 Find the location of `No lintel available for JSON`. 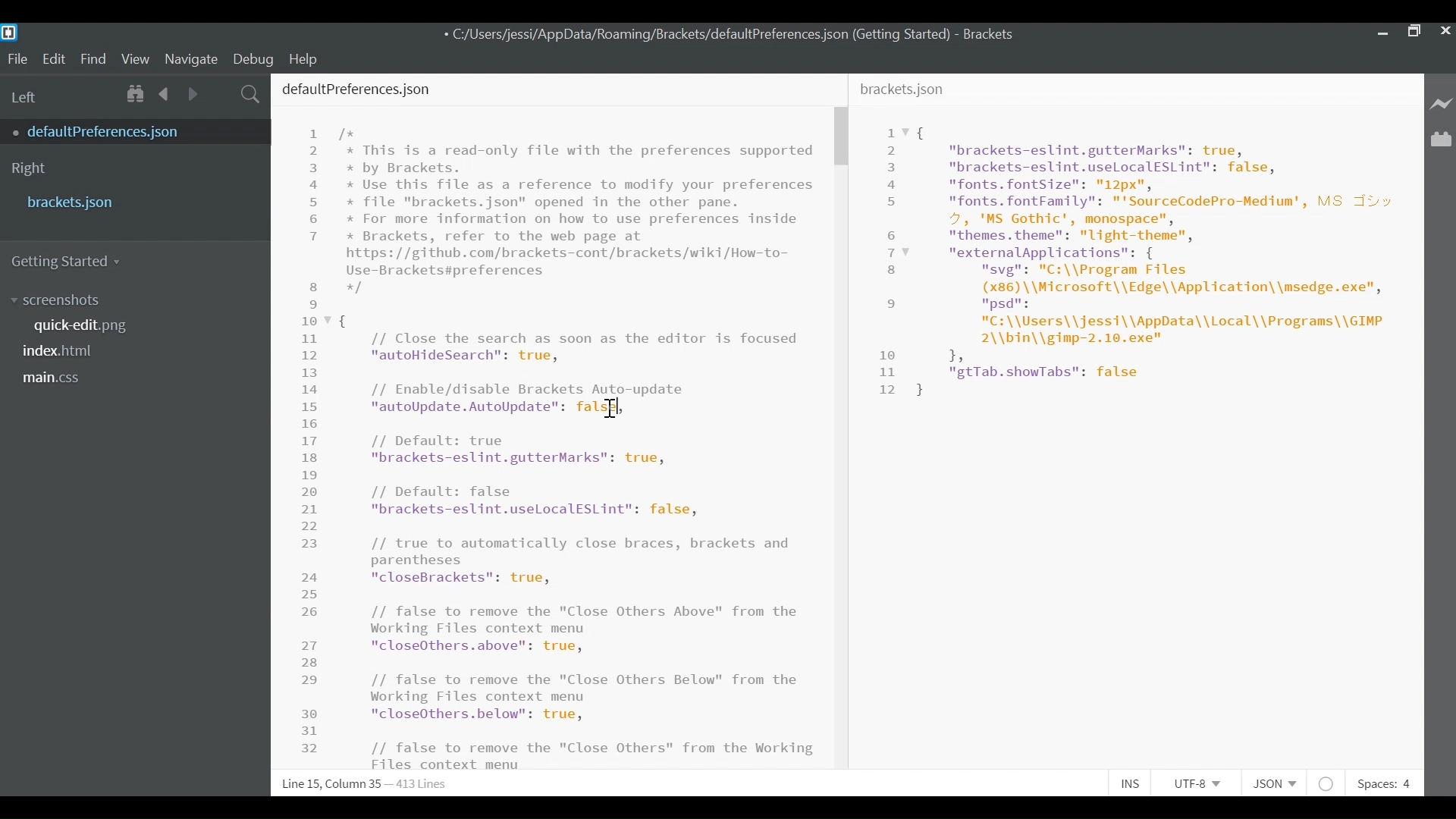

No lintel available for JSON is located at coordinates (1327, 783).